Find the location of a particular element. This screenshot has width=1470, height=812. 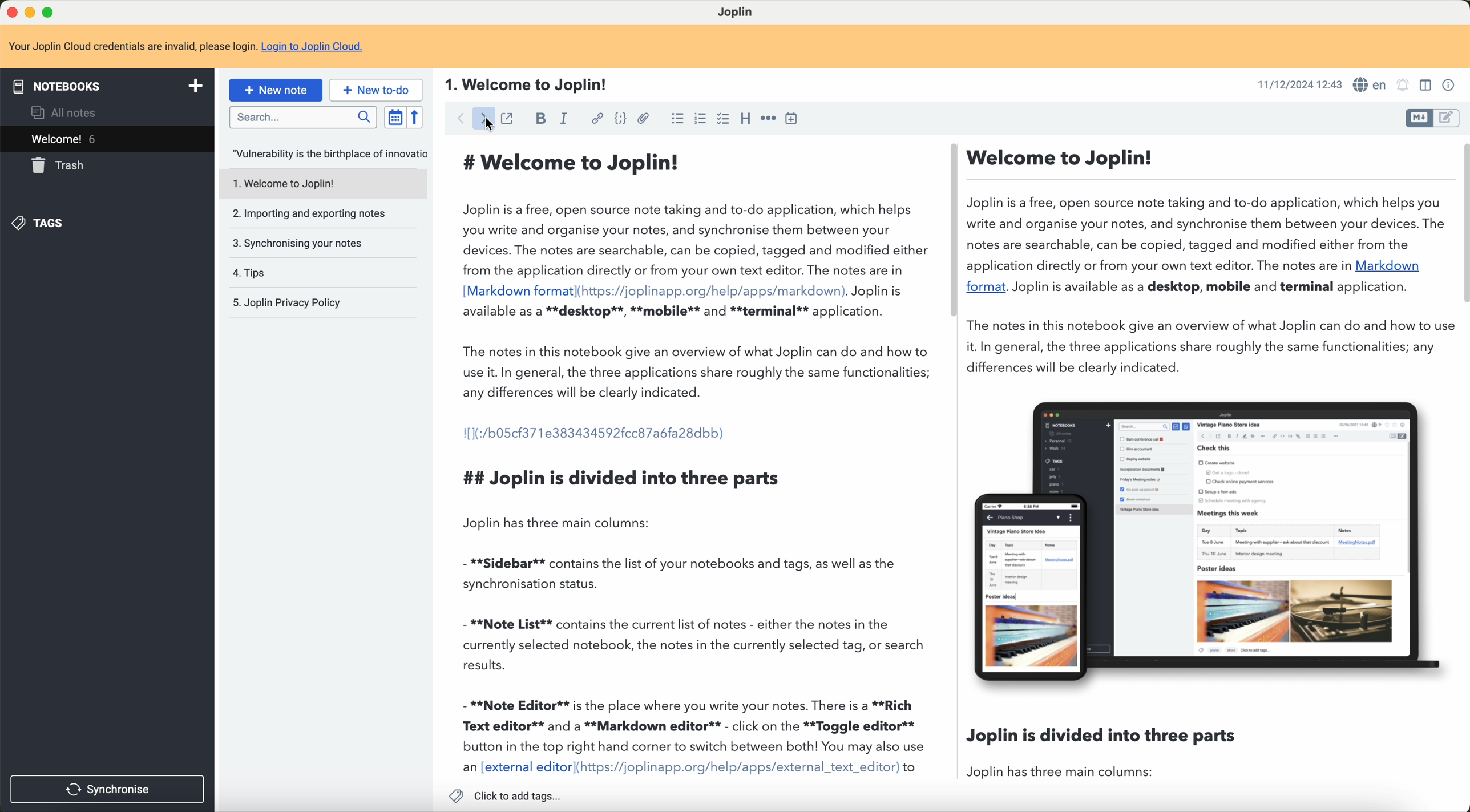

minimize is located at coordinates (32, 11).